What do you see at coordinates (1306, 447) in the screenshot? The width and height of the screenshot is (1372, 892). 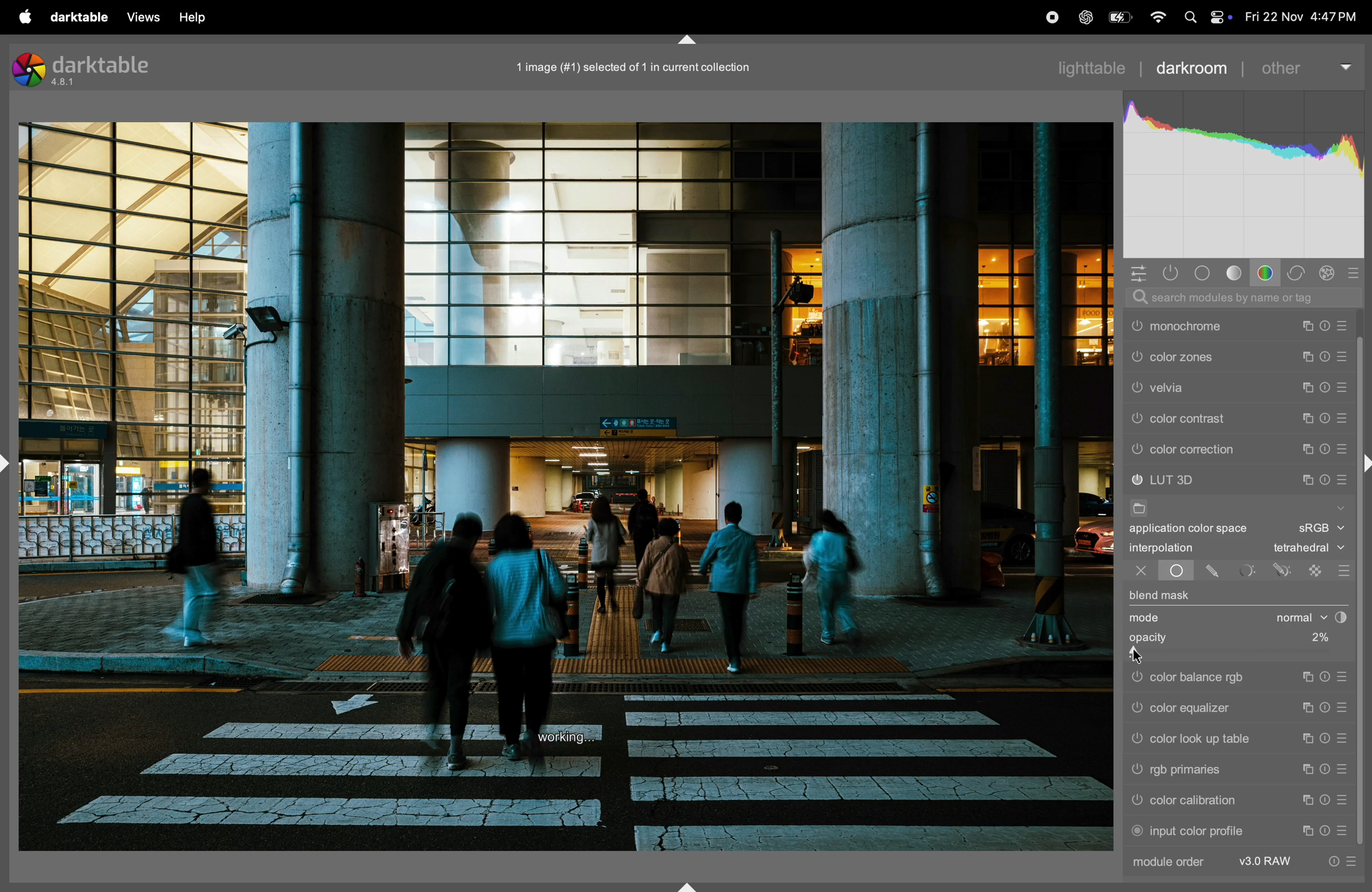 I see `multiple instance actions` at bounding box center [1306, 447].